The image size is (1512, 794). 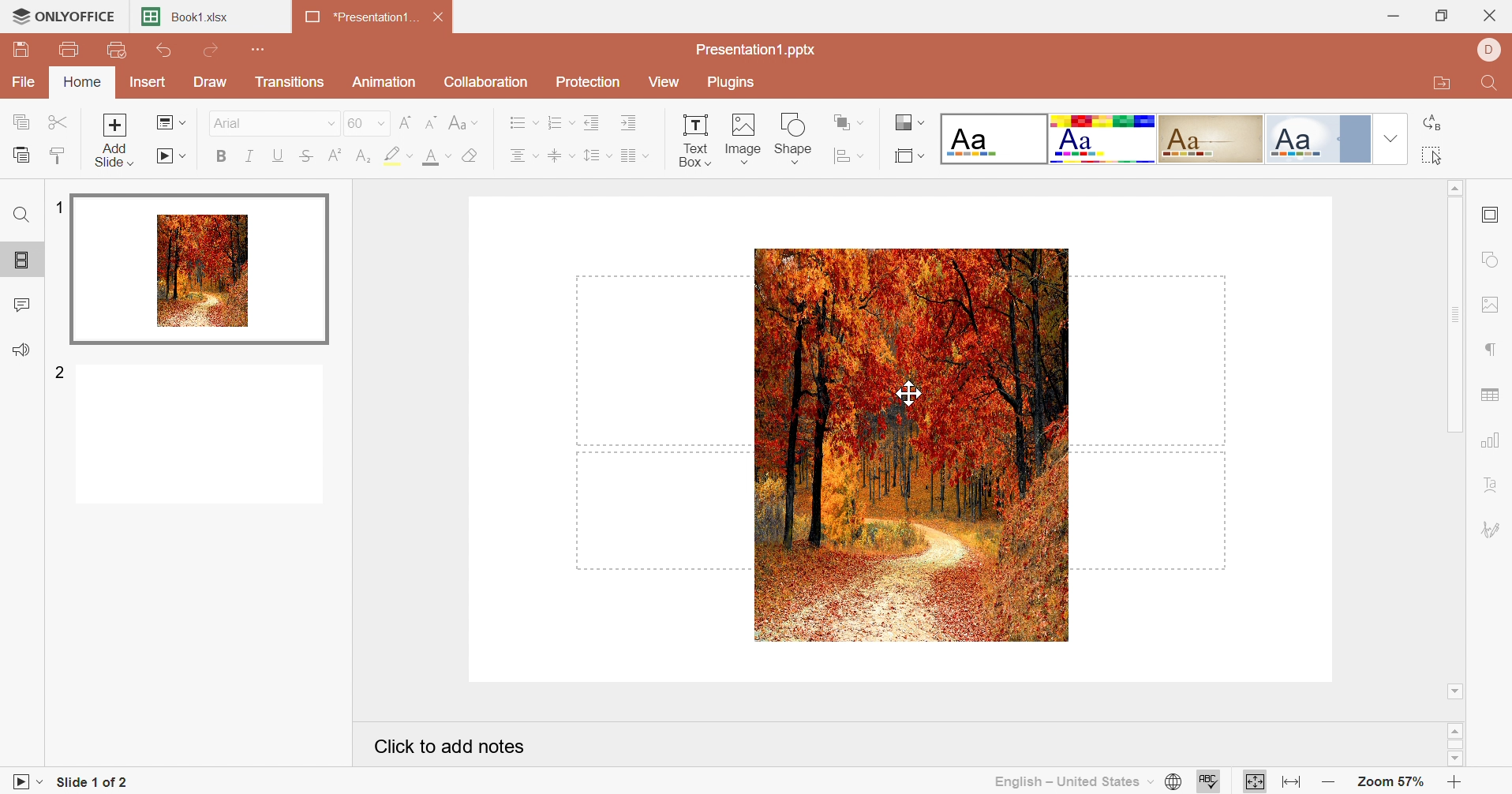 What do you see at coordinates (996, 138) in the screenshot?
I see `Blank` at bounding box center [996, 138].